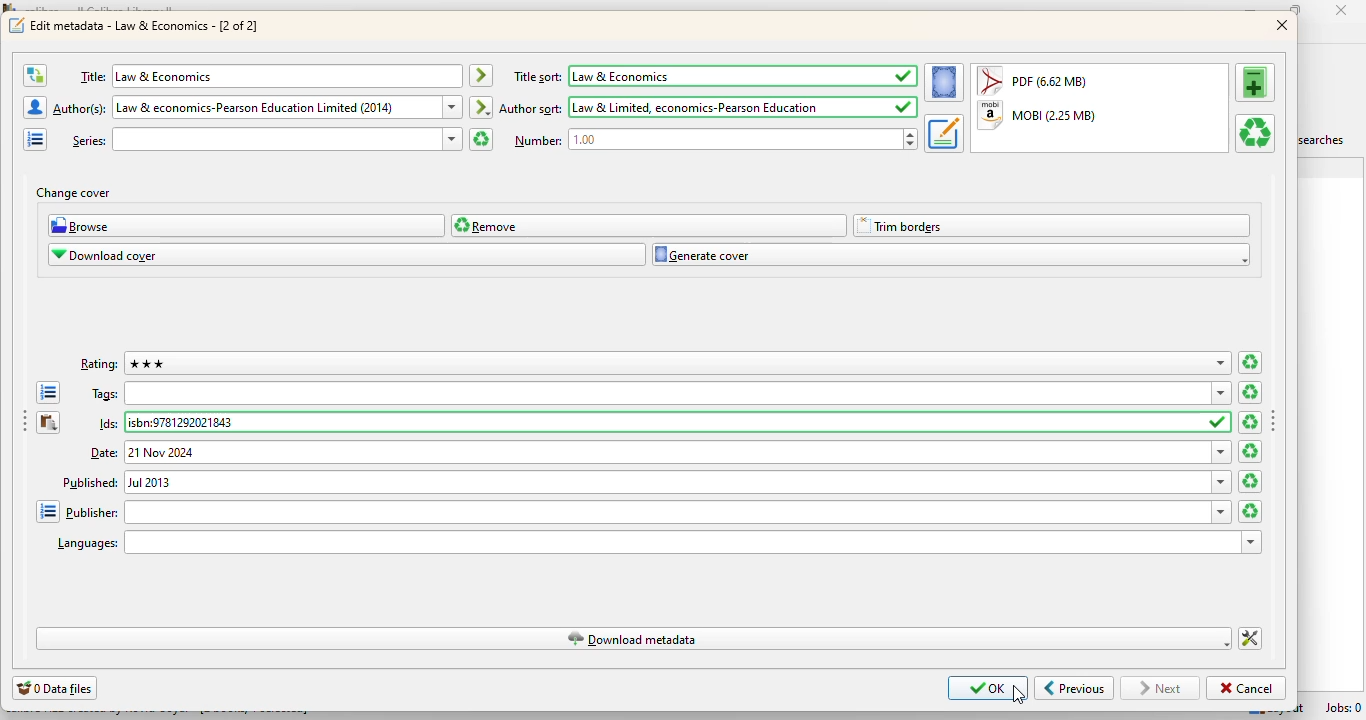  Describe the element at coordinates (649, 225) in the screenshot. I see `remove` at that location.